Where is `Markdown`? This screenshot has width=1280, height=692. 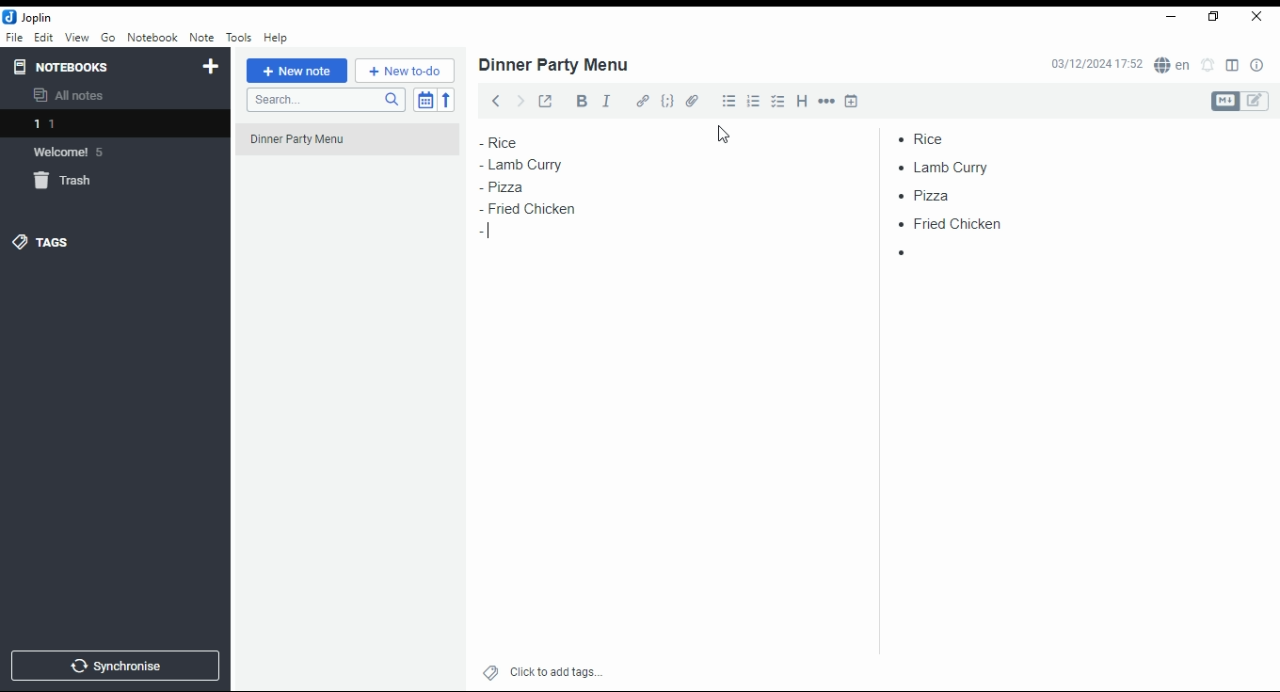 Markdown is located at coordinates (1224, 101).